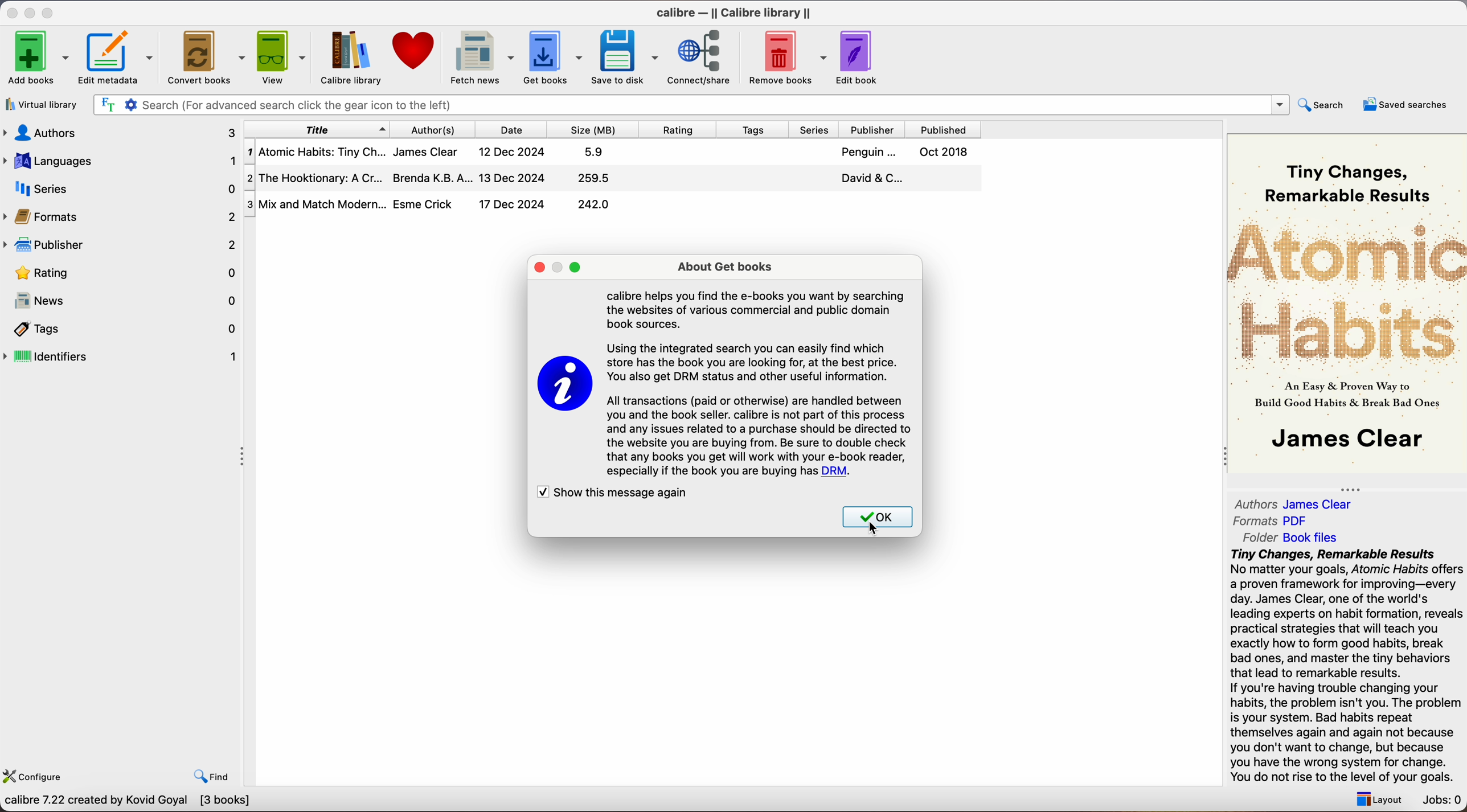  I want to click on close, so click(11, 13).